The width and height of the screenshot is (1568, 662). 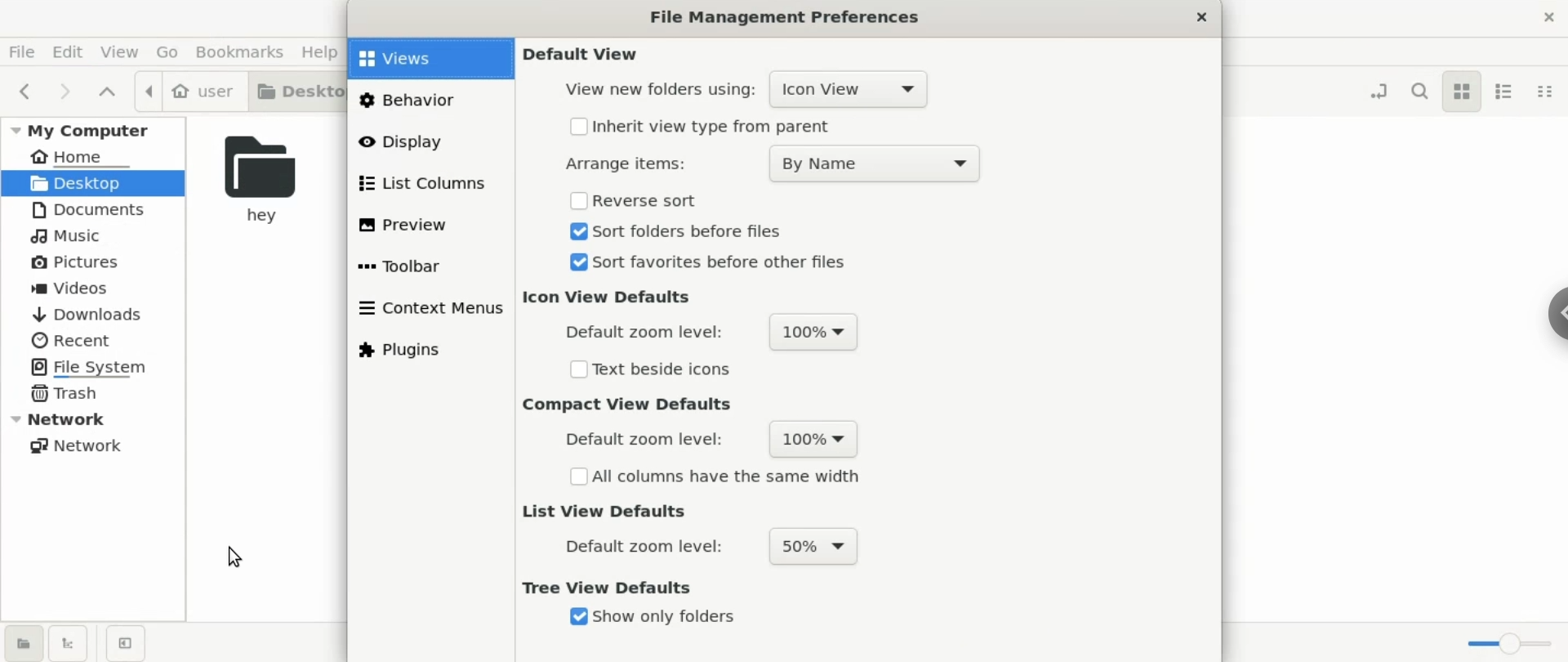 What do you see at coordinates (1546, 92) in the screenshot?
I see `compact view` at bounding box center [1546, 92].